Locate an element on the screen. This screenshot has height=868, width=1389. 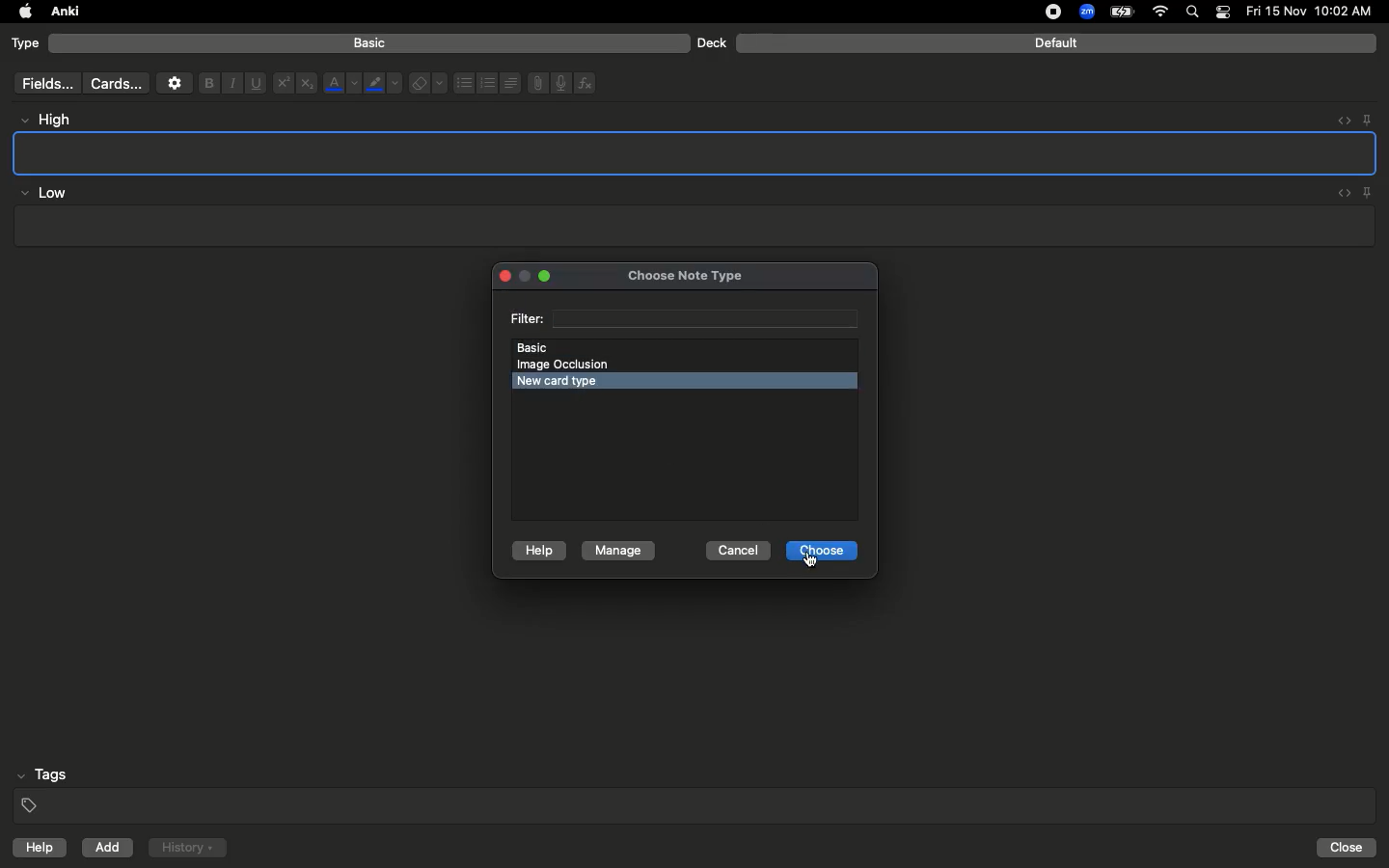
Underline is located at coordinates (255, 84).